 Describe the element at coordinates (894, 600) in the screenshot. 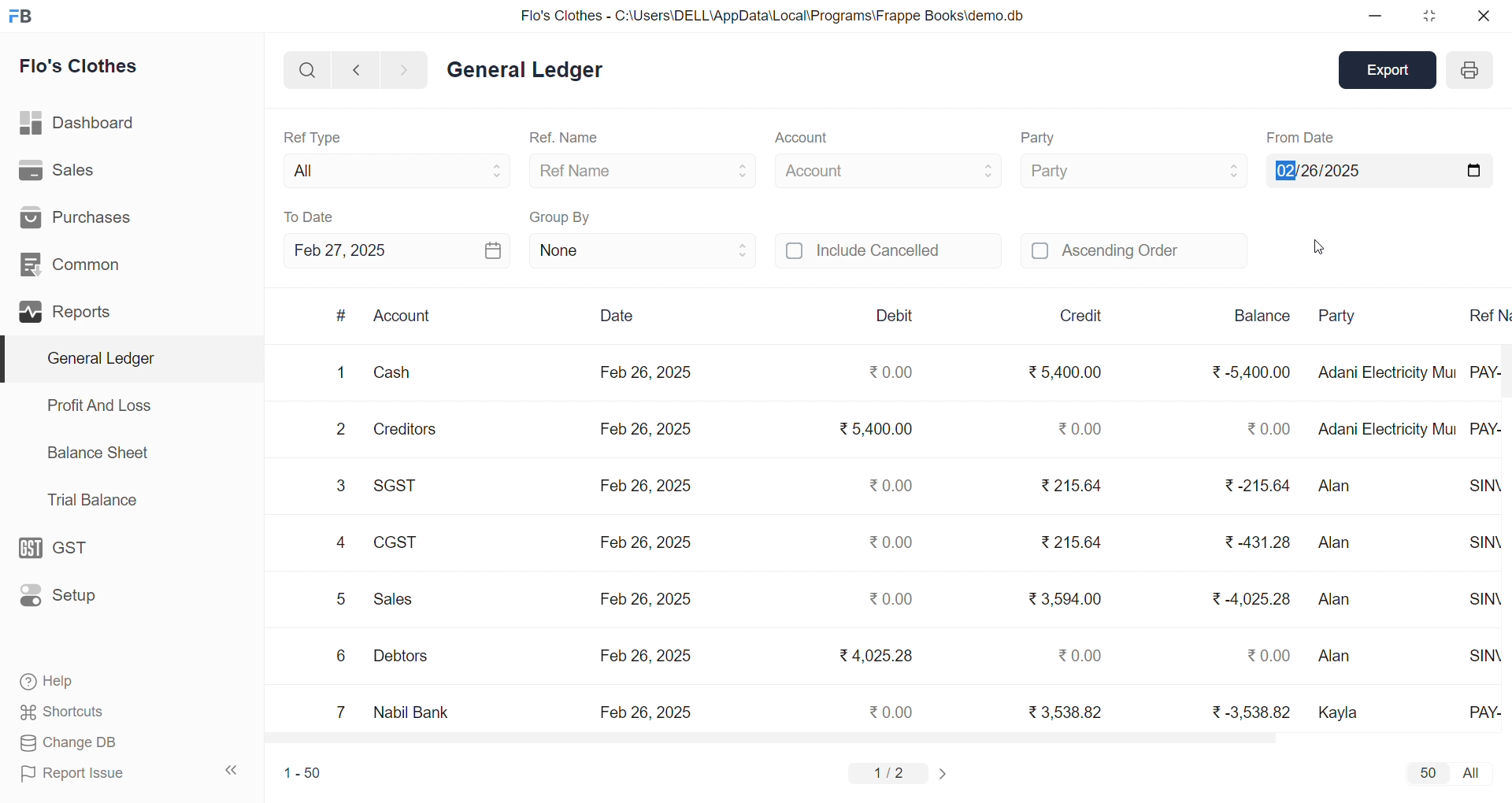

I see `₹0.00` at that location.